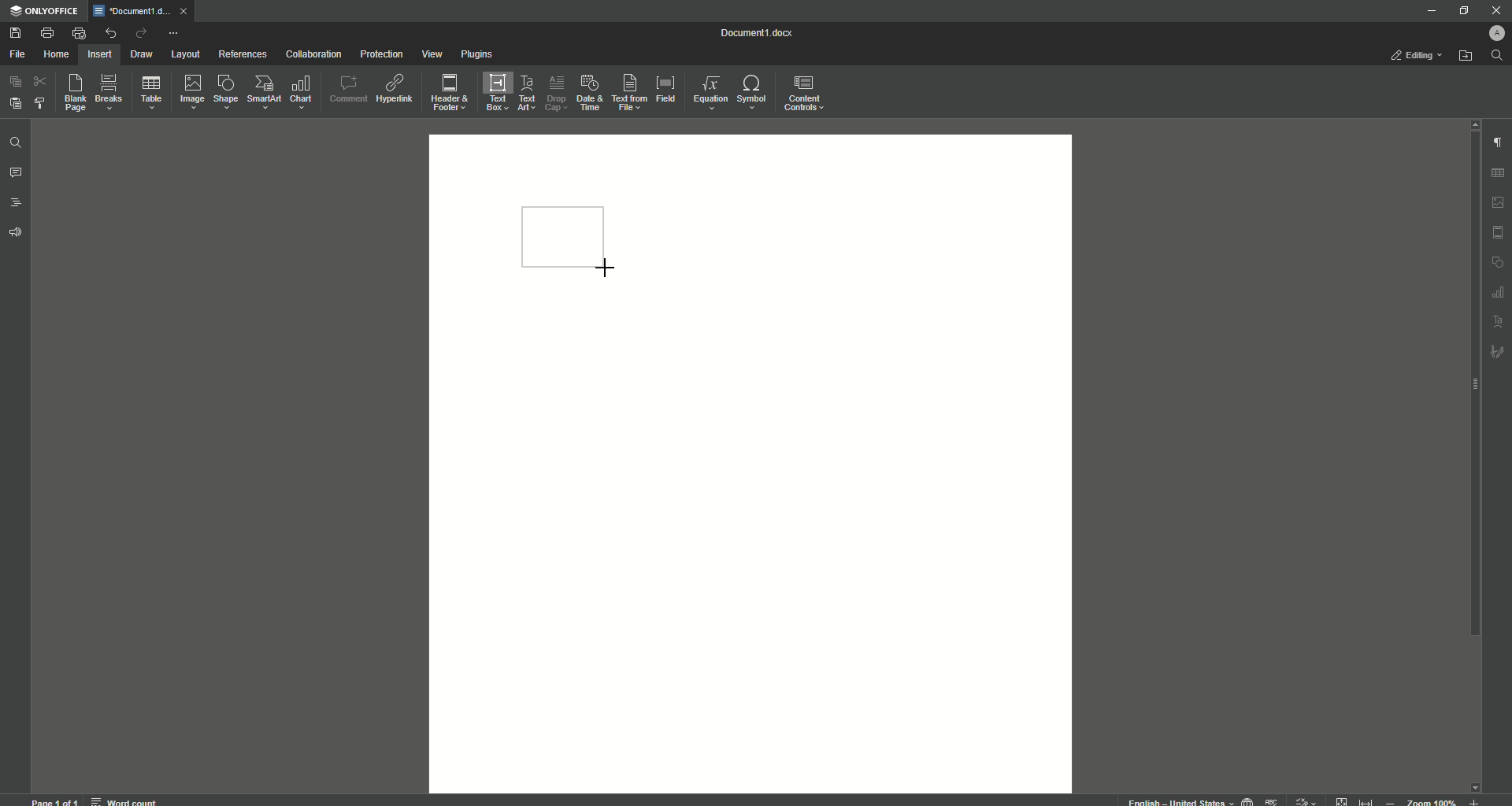 The width and height of the screenshot is (1512, 806). What do you see at coordinates (172, 35) in the screenshot?
I see `More Actions` at bounding box center [172, 35].